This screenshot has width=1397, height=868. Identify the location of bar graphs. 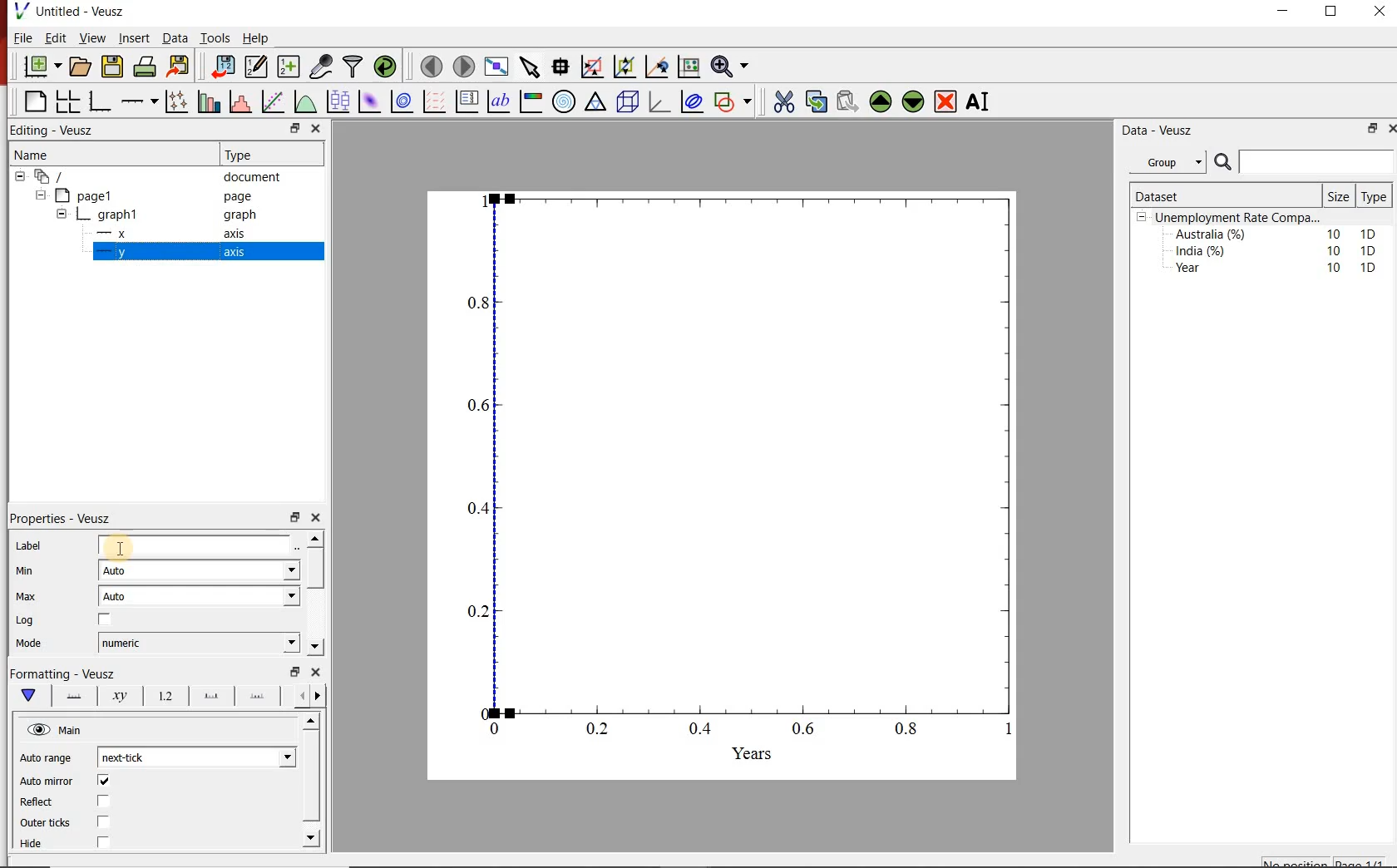
(207, 101).